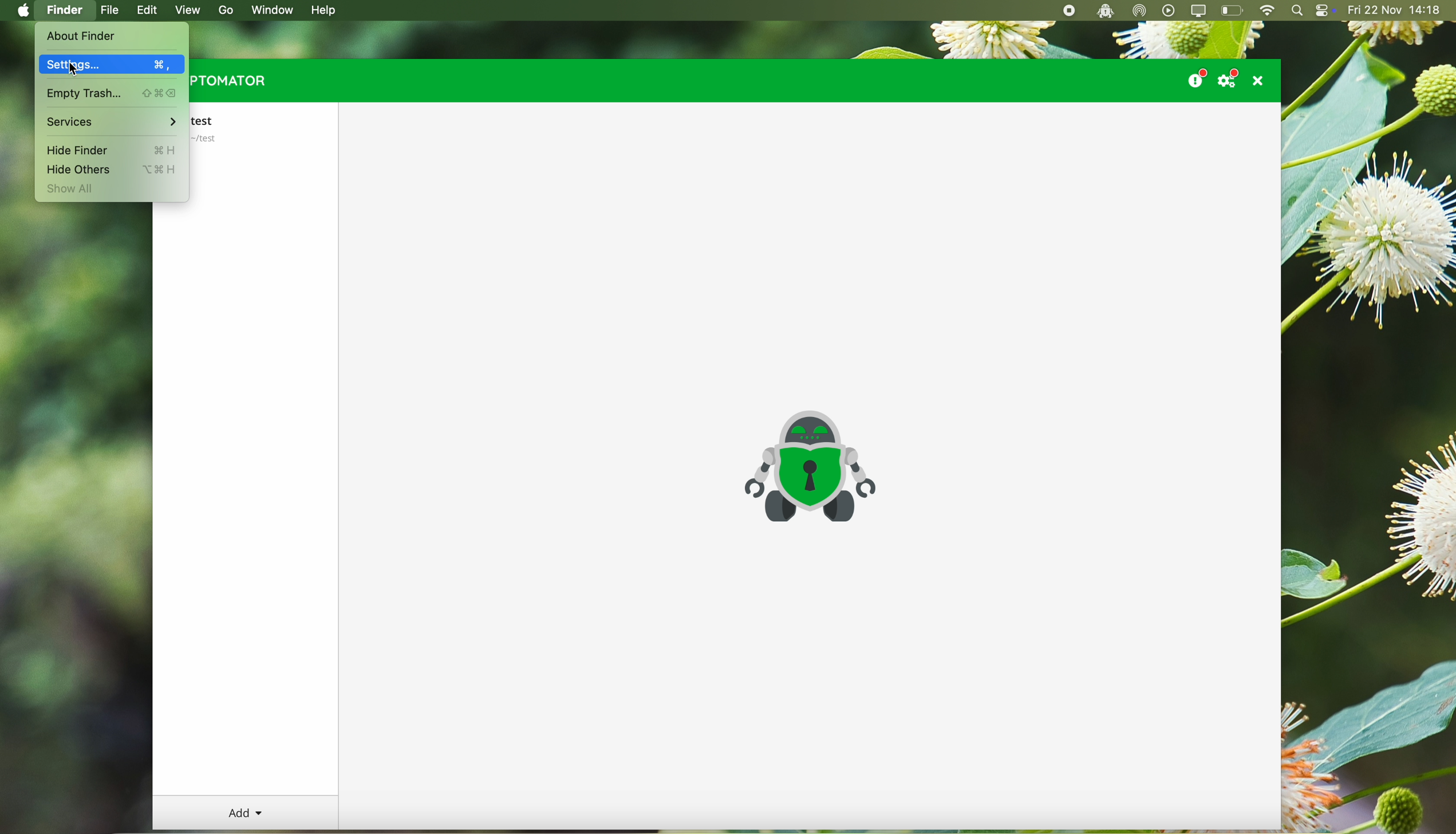  I want to click on controls, so click(1325, 11).